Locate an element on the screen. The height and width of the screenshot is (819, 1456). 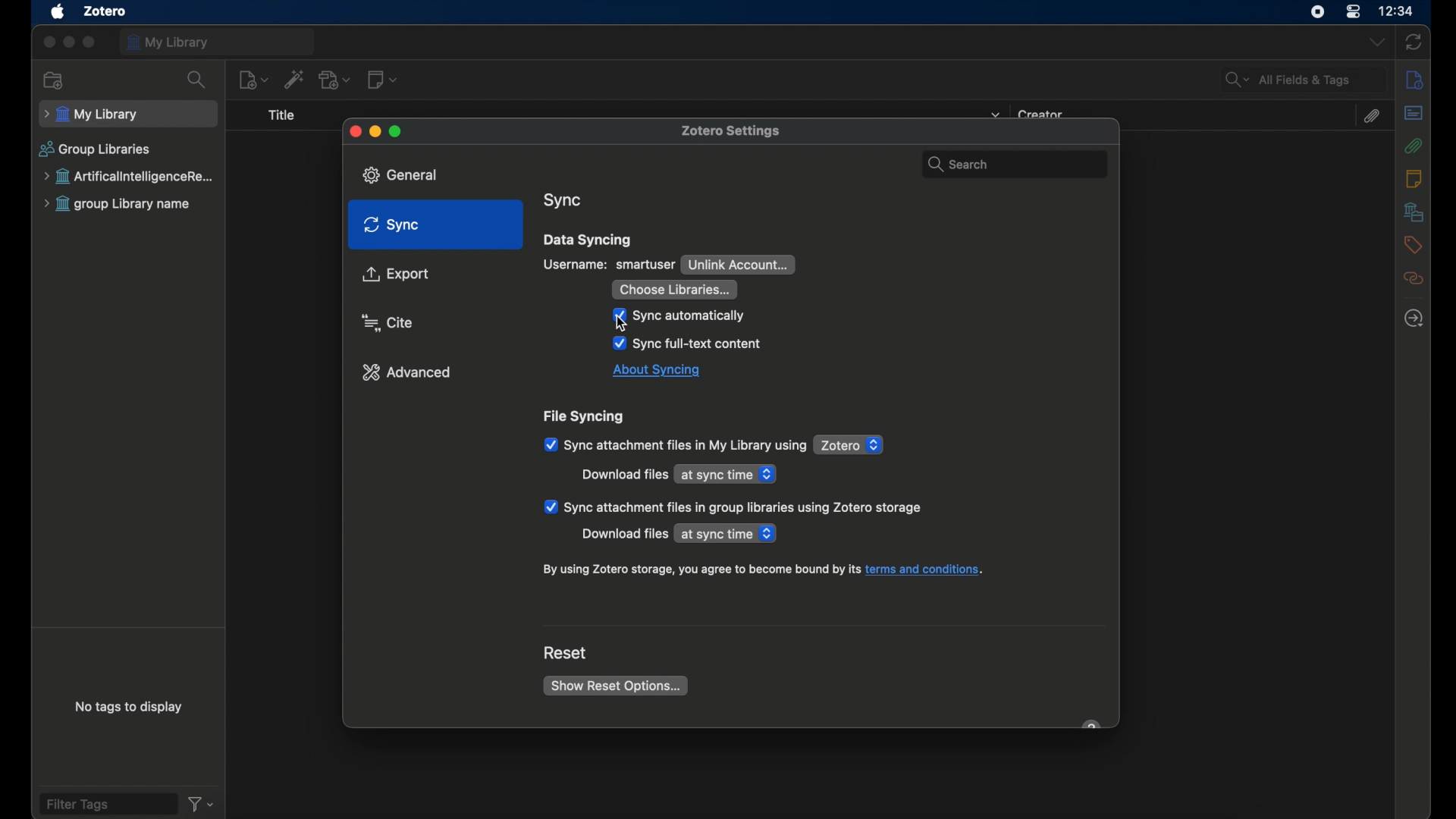
zotero is located at coordinates (106, 11).